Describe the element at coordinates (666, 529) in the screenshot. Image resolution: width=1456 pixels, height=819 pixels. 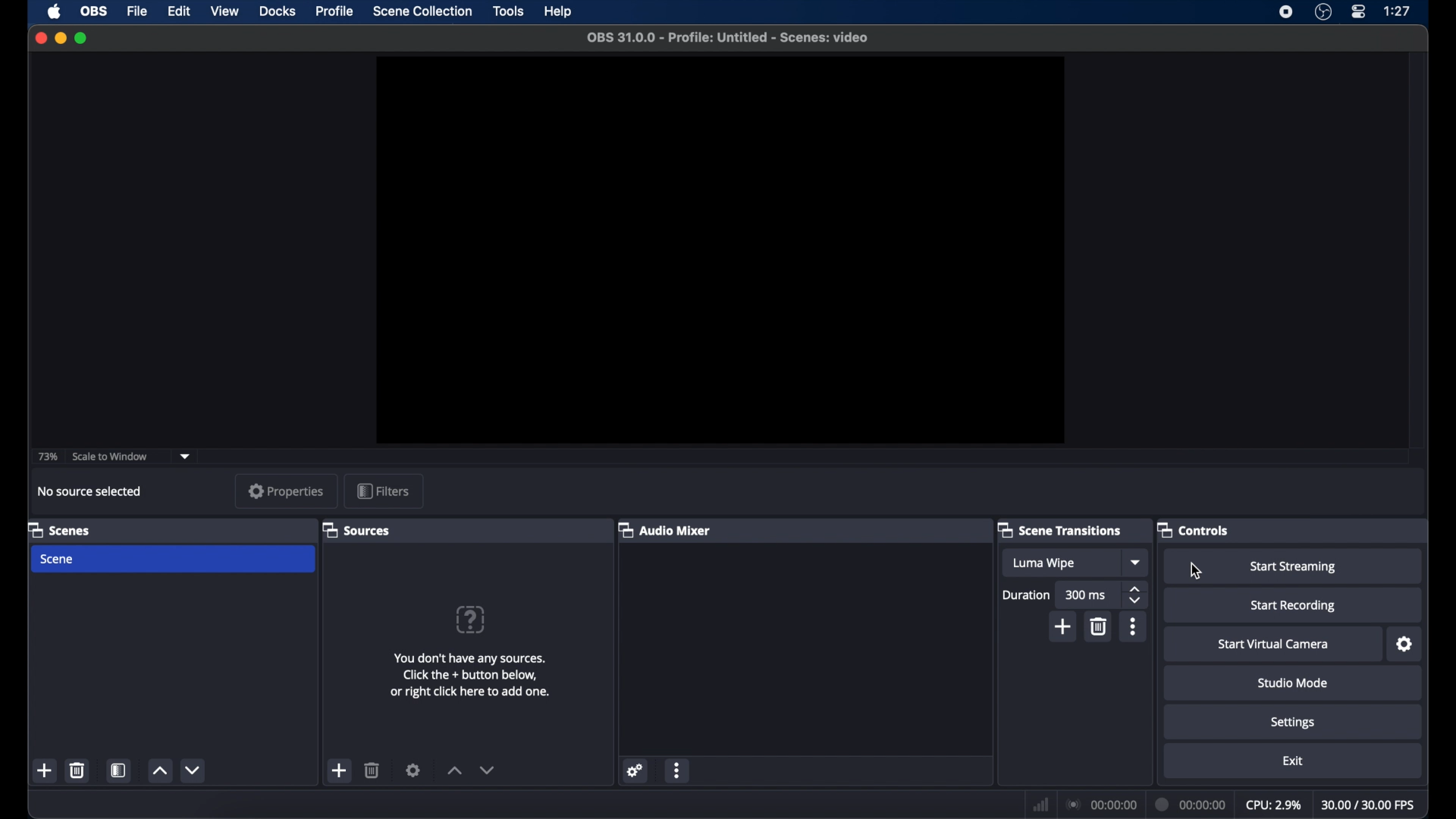
I see `mixer` at that location.